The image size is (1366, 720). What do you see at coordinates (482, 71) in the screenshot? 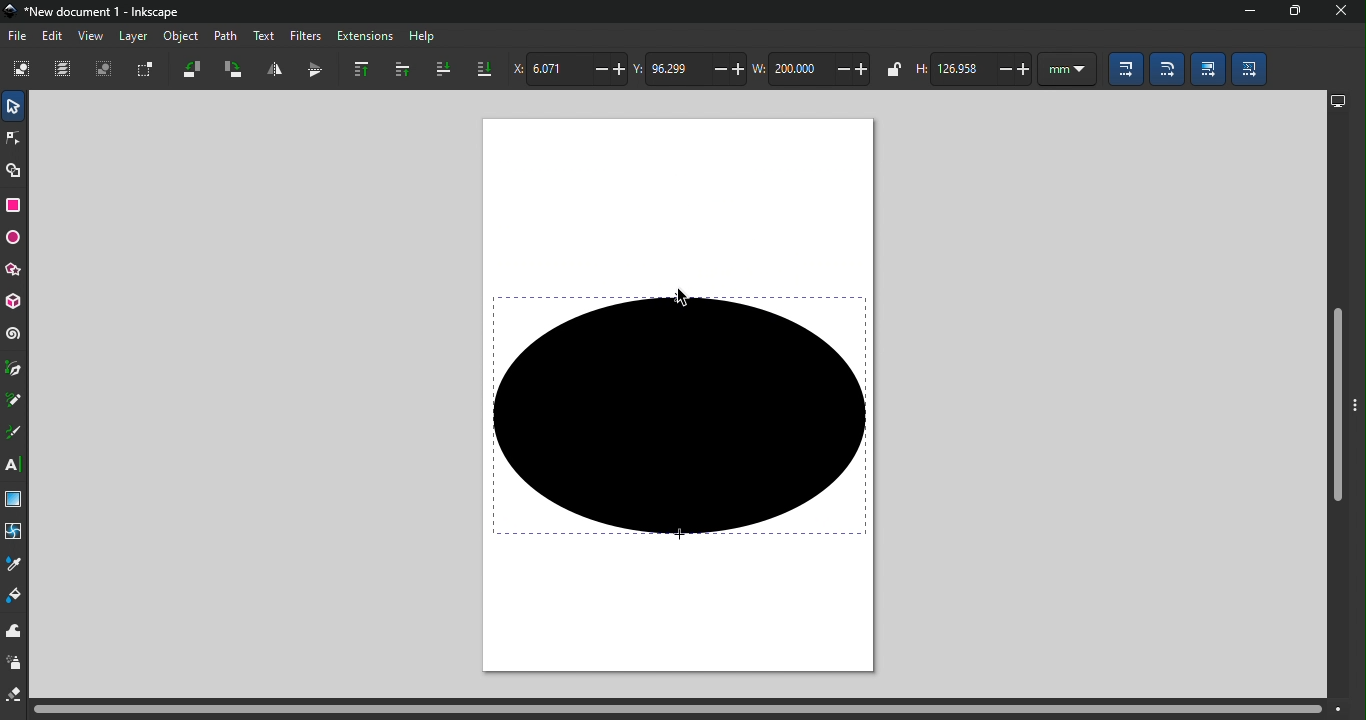
I see `Lower selection to bottom` at bounding box center [482, 71].